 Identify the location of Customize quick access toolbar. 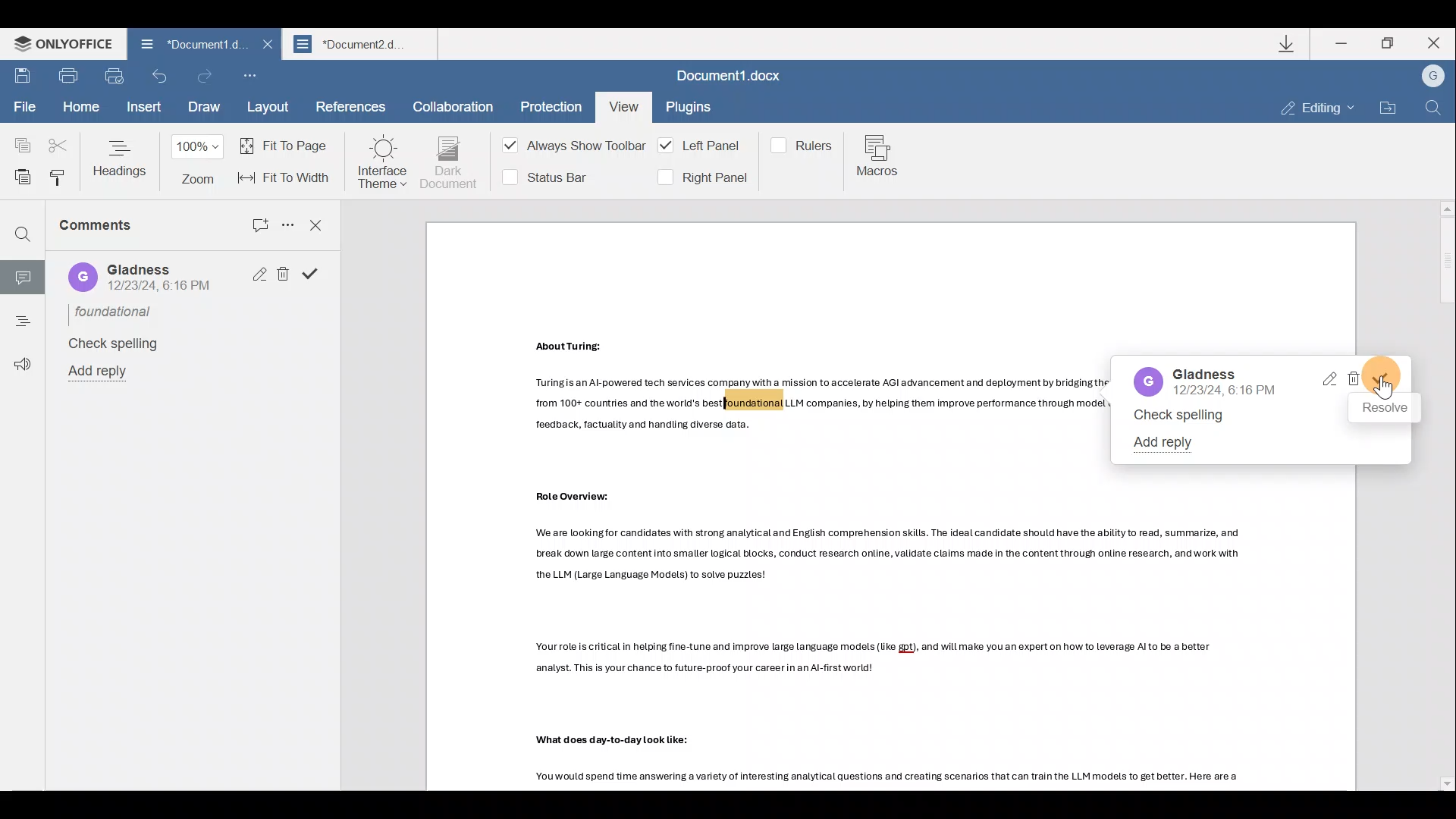
(255, 77).